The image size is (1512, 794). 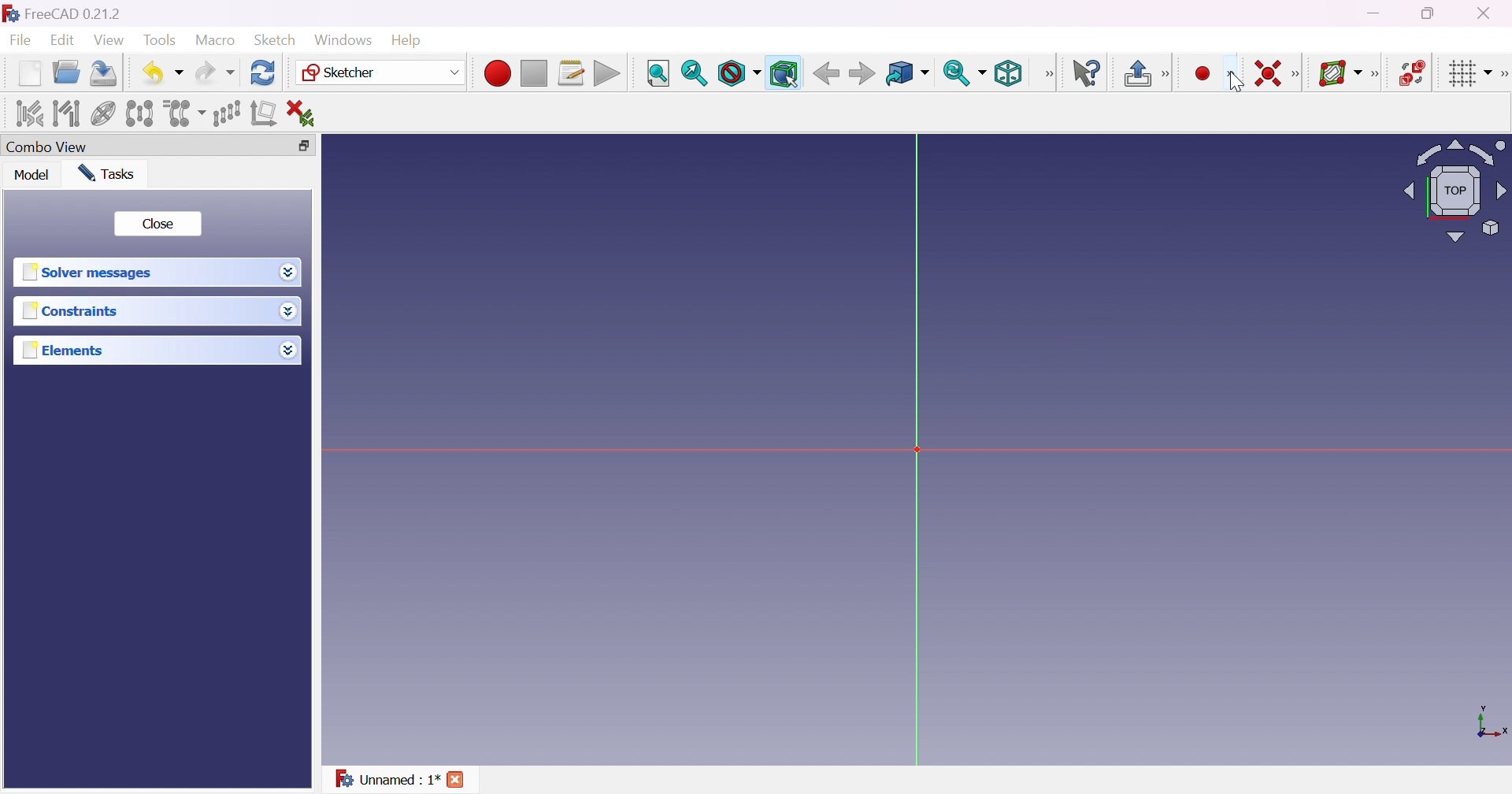 I want to click on Drop down, so click(x=288, y=350).